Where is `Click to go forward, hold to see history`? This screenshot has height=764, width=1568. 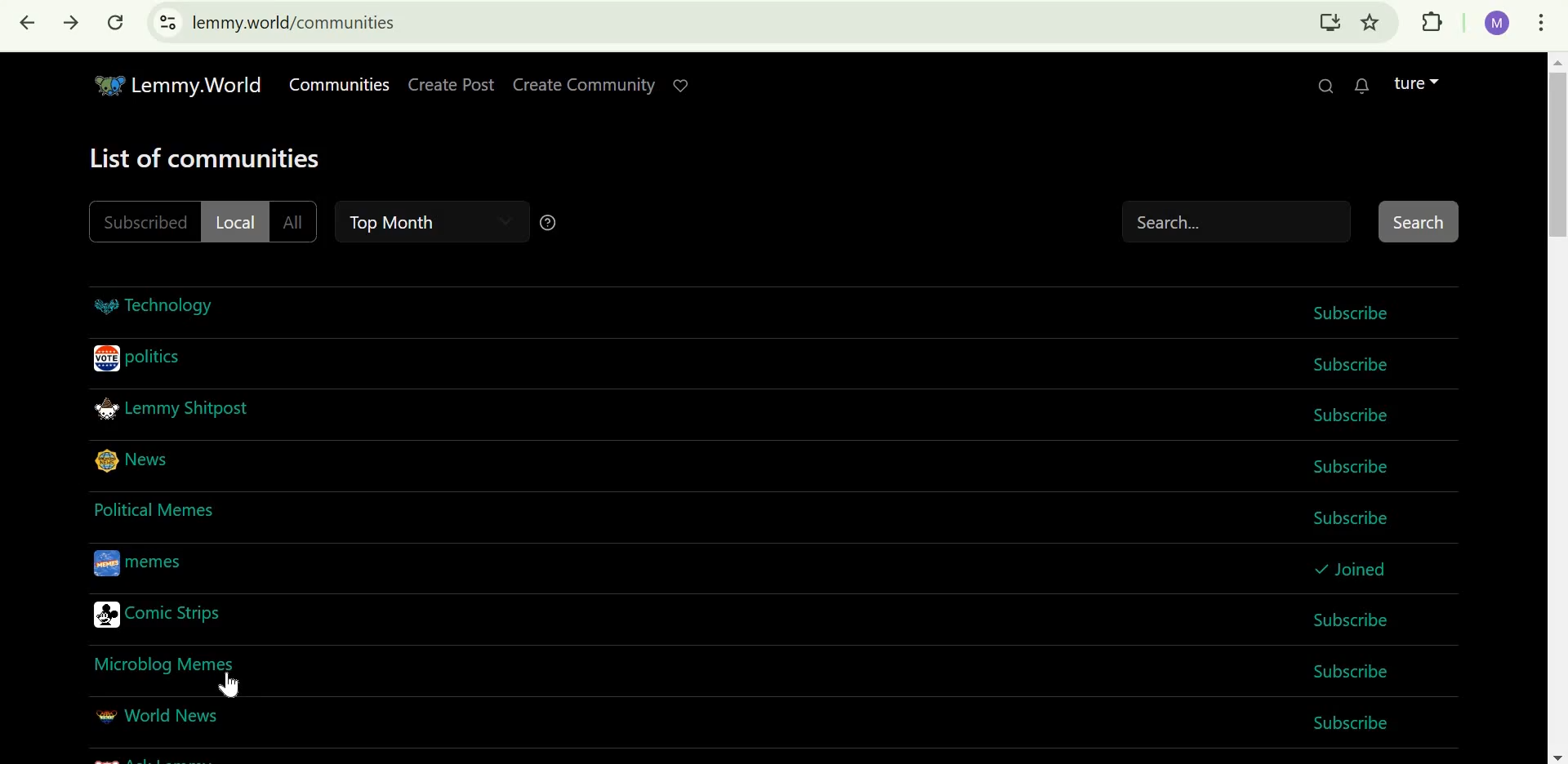
Click to go forward, hold to see history is located at coordinates (73, 27).